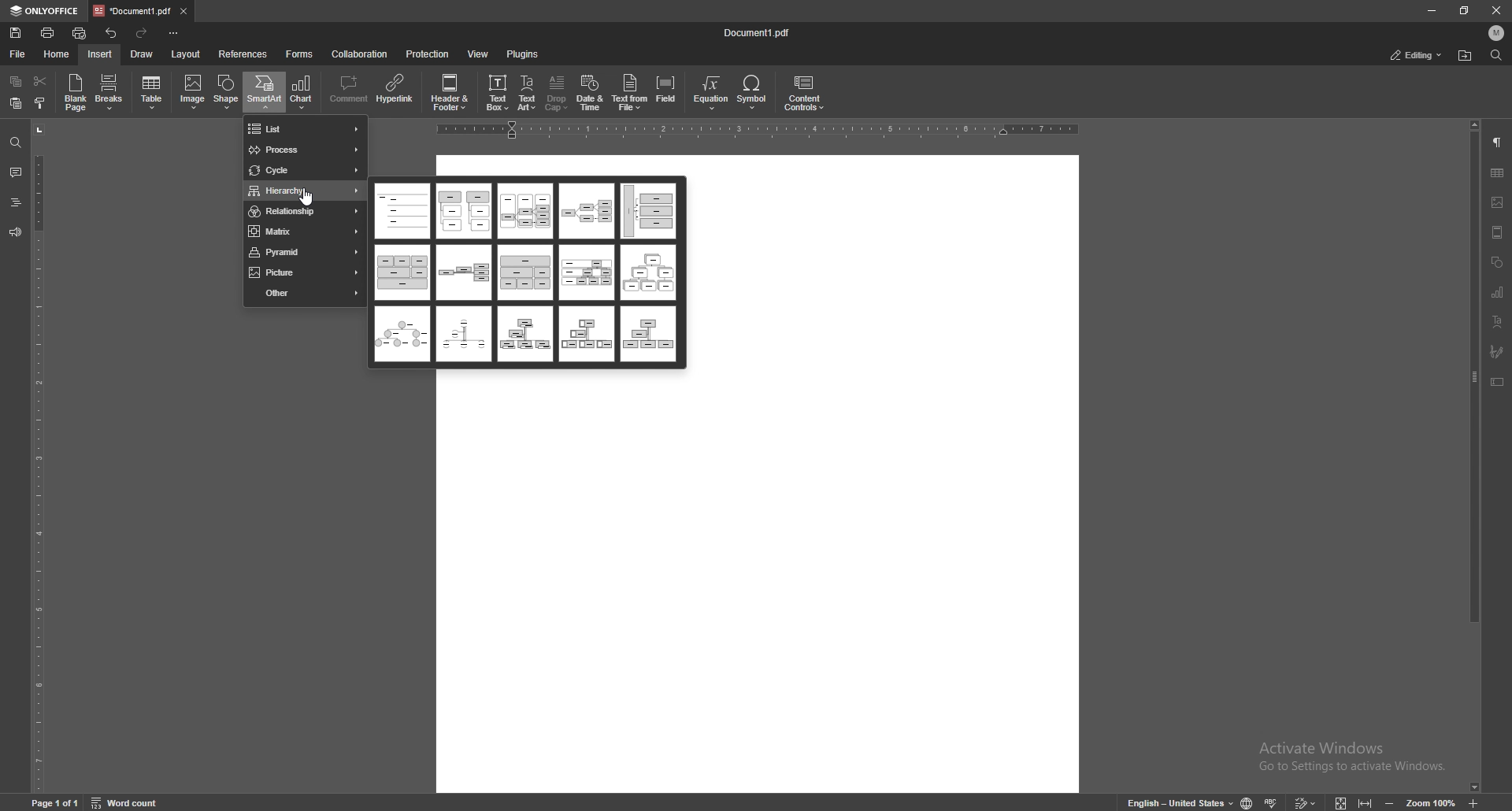  Describe the element at coordinates (110, 92) in the screenshot. I see `breaks` at that location.